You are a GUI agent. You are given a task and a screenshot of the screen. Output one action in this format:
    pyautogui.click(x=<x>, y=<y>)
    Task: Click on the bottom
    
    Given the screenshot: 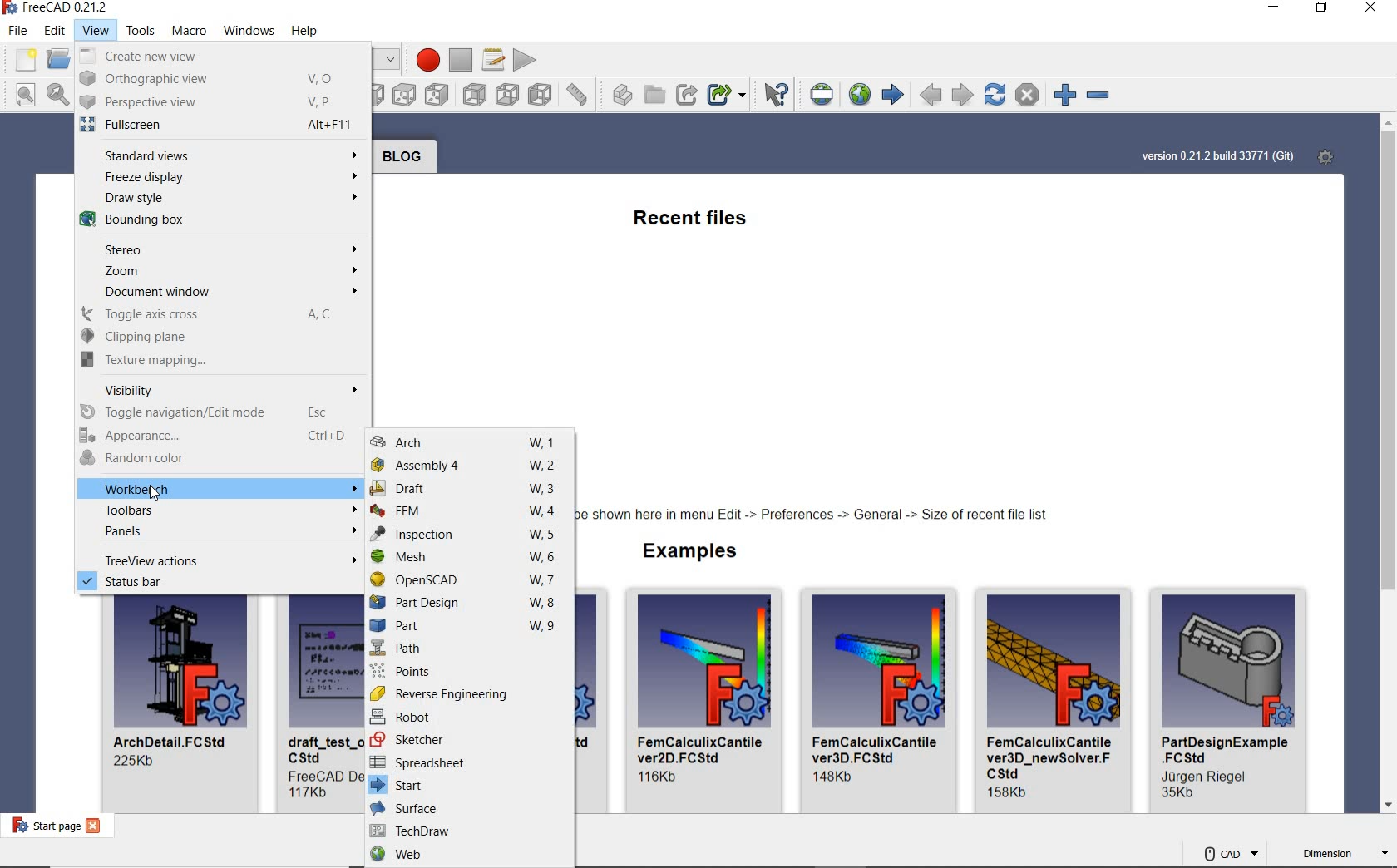 What is the action you would take?
    pyautogui.click(x=508, y=96)
    